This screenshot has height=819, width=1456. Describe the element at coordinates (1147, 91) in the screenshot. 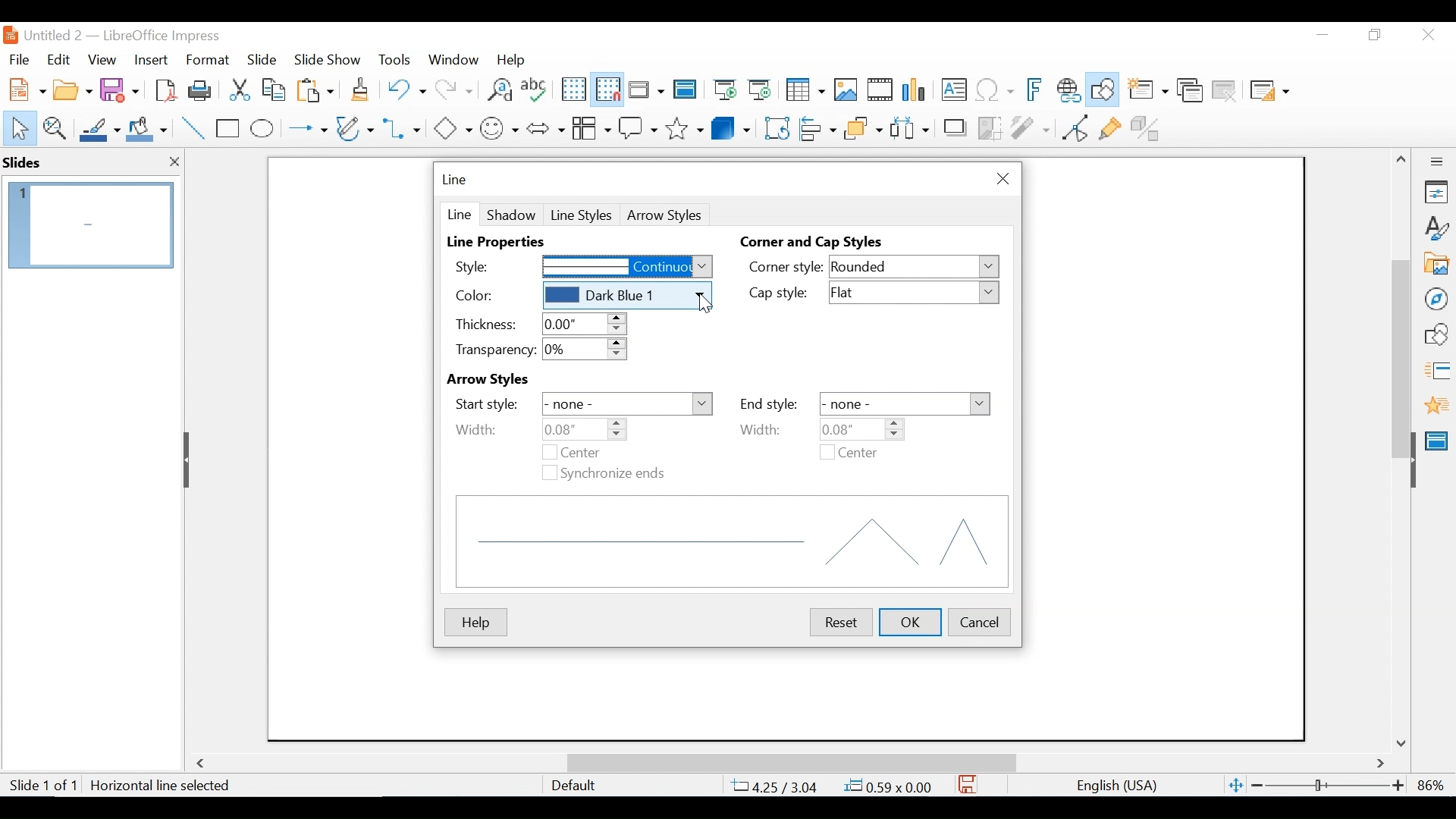

I see `New slide` at that location.